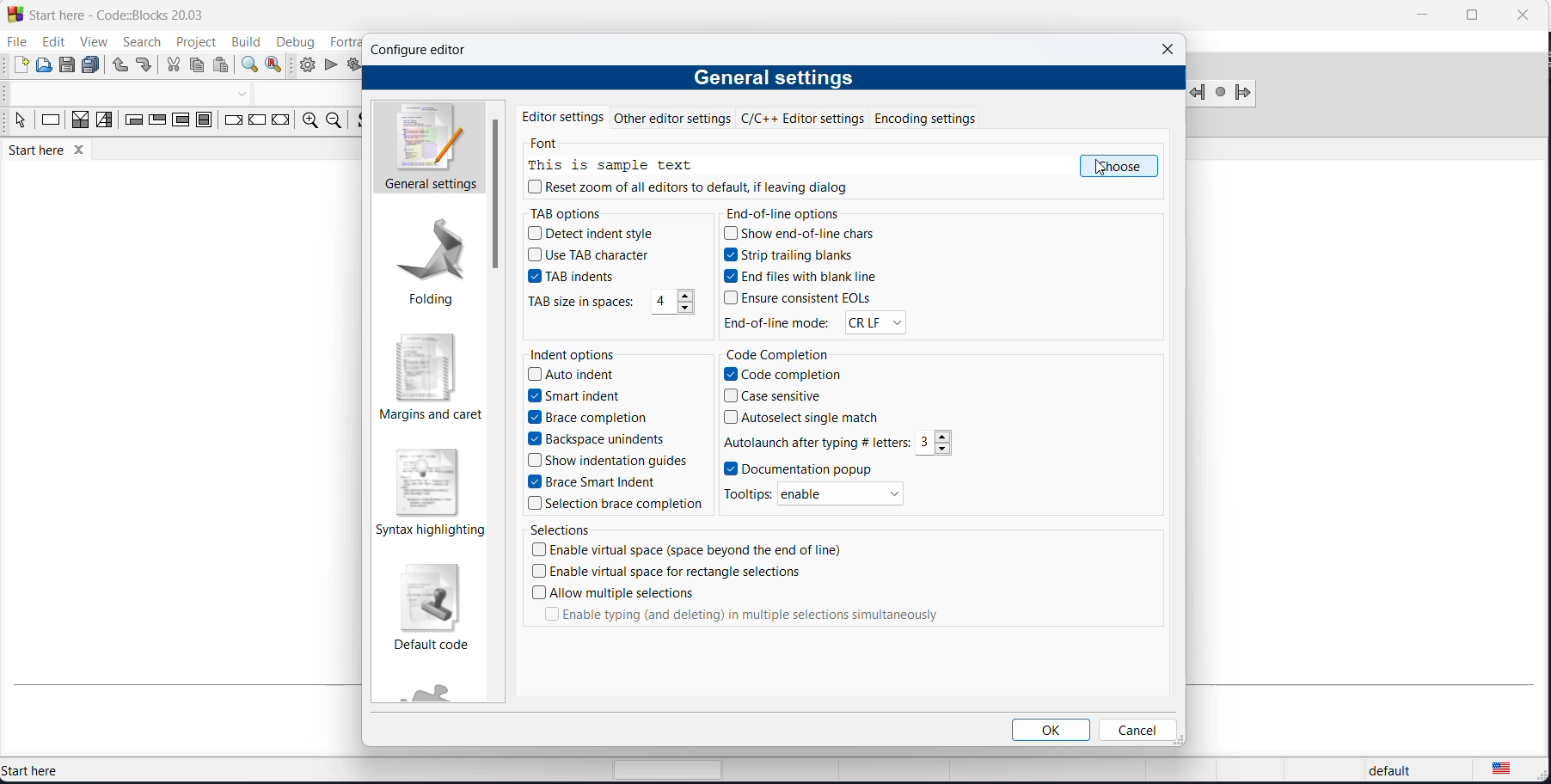 The width and height of the screenshot is (1551, 784). What do you see at coordinates (15, 42) in the screenshot?
I see `file` at bounding box center [15, 42].